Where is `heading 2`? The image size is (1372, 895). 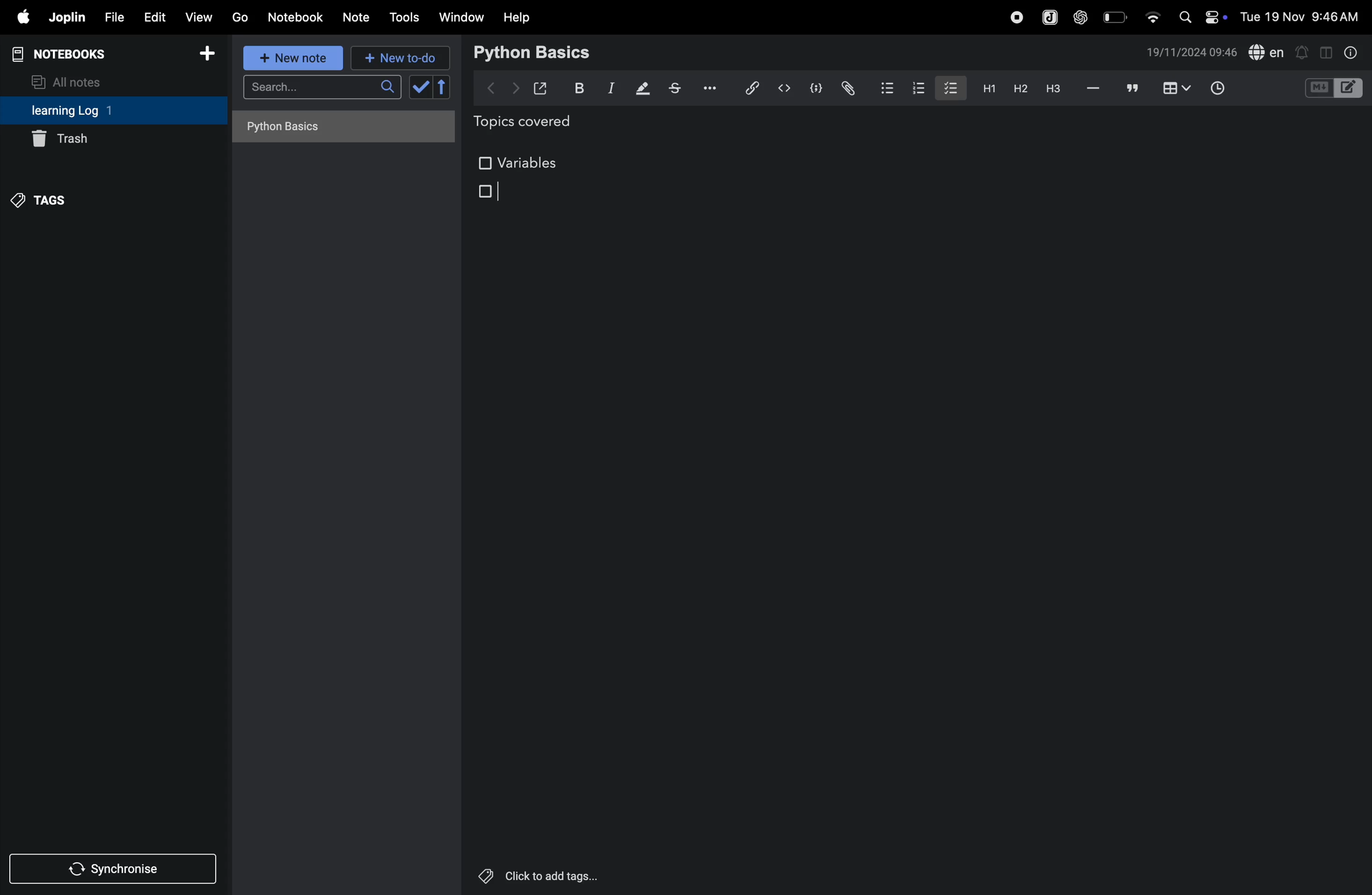 heading 2 is located at coordinates (1020, 88).